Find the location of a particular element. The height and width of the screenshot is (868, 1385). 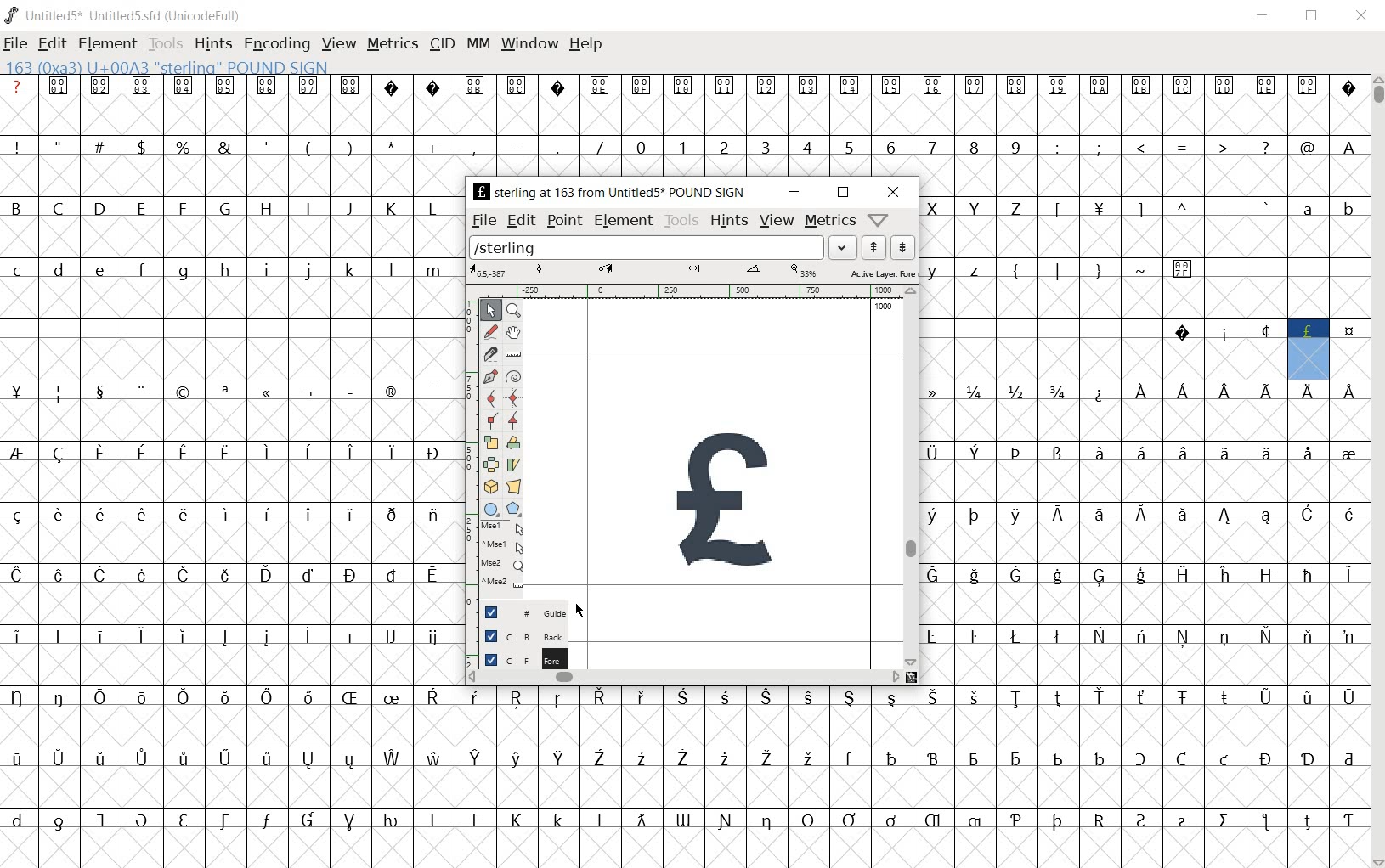

Symbol is located at coordinates (1057, 454).